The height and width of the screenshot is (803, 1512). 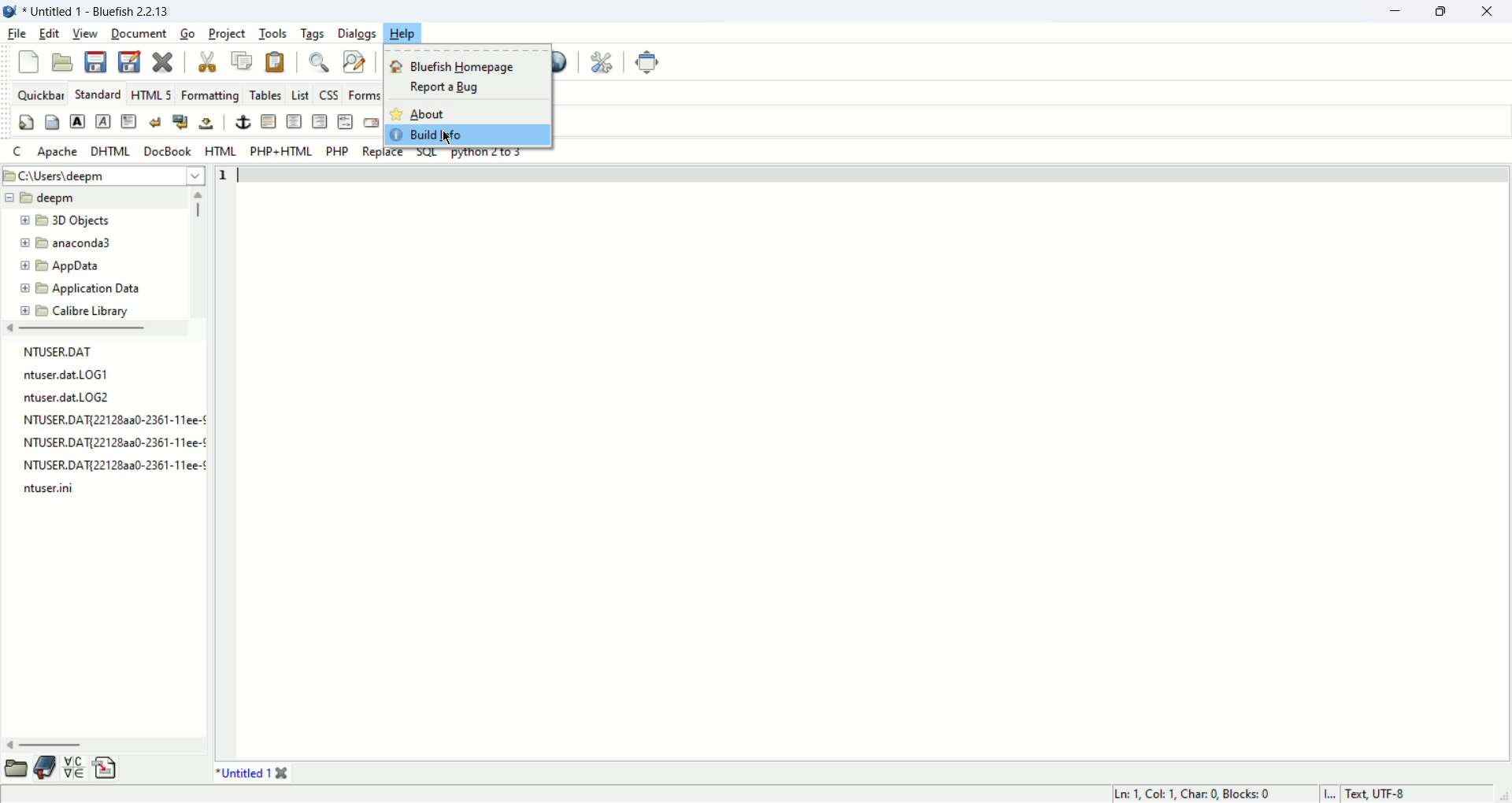 What do you see at coordinates (114, 462) in the screenshot?
I see `file name` at bounding box center [114, 462].